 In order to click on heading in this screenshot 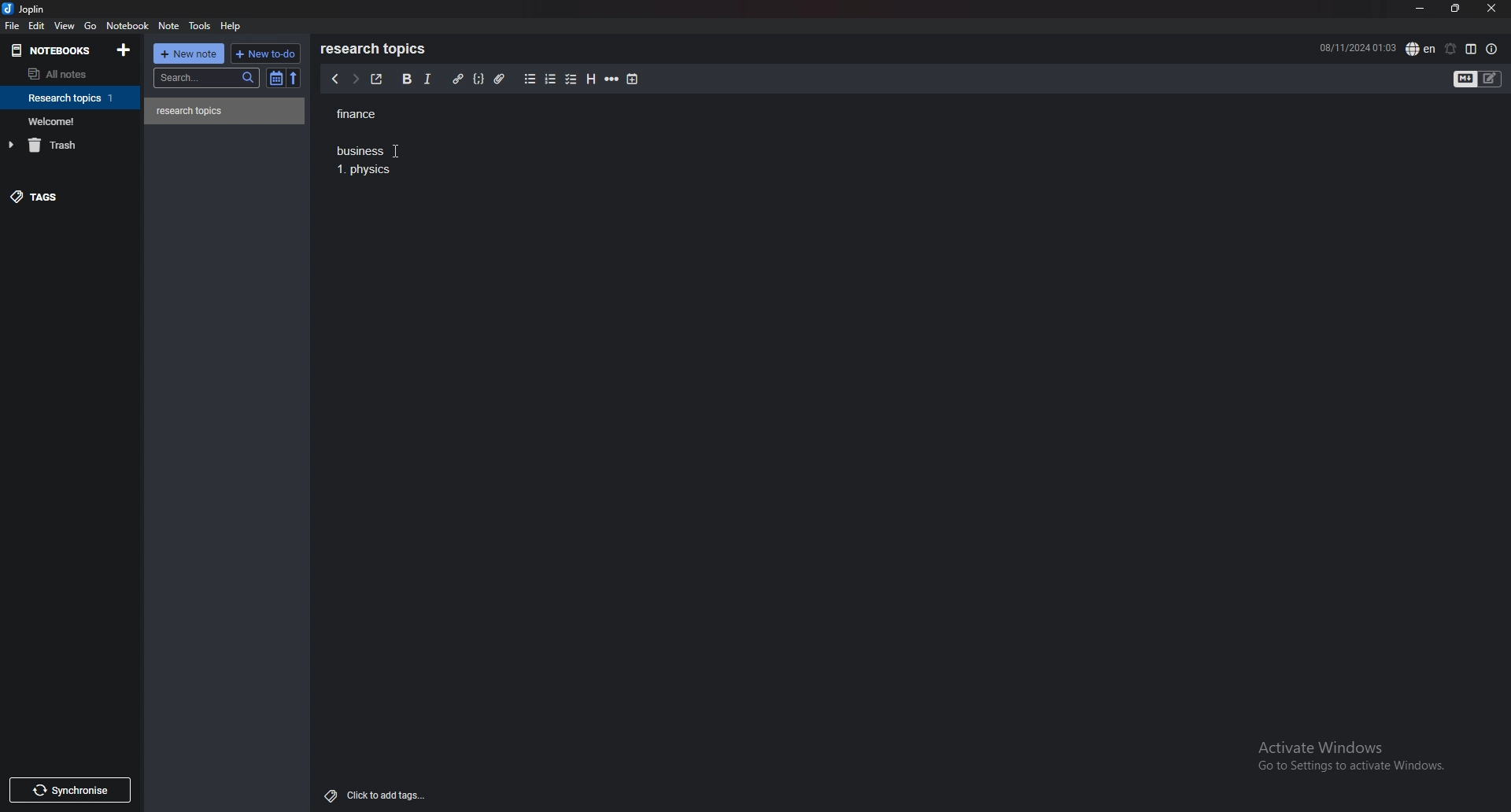, I will do `click(590, 79)`.